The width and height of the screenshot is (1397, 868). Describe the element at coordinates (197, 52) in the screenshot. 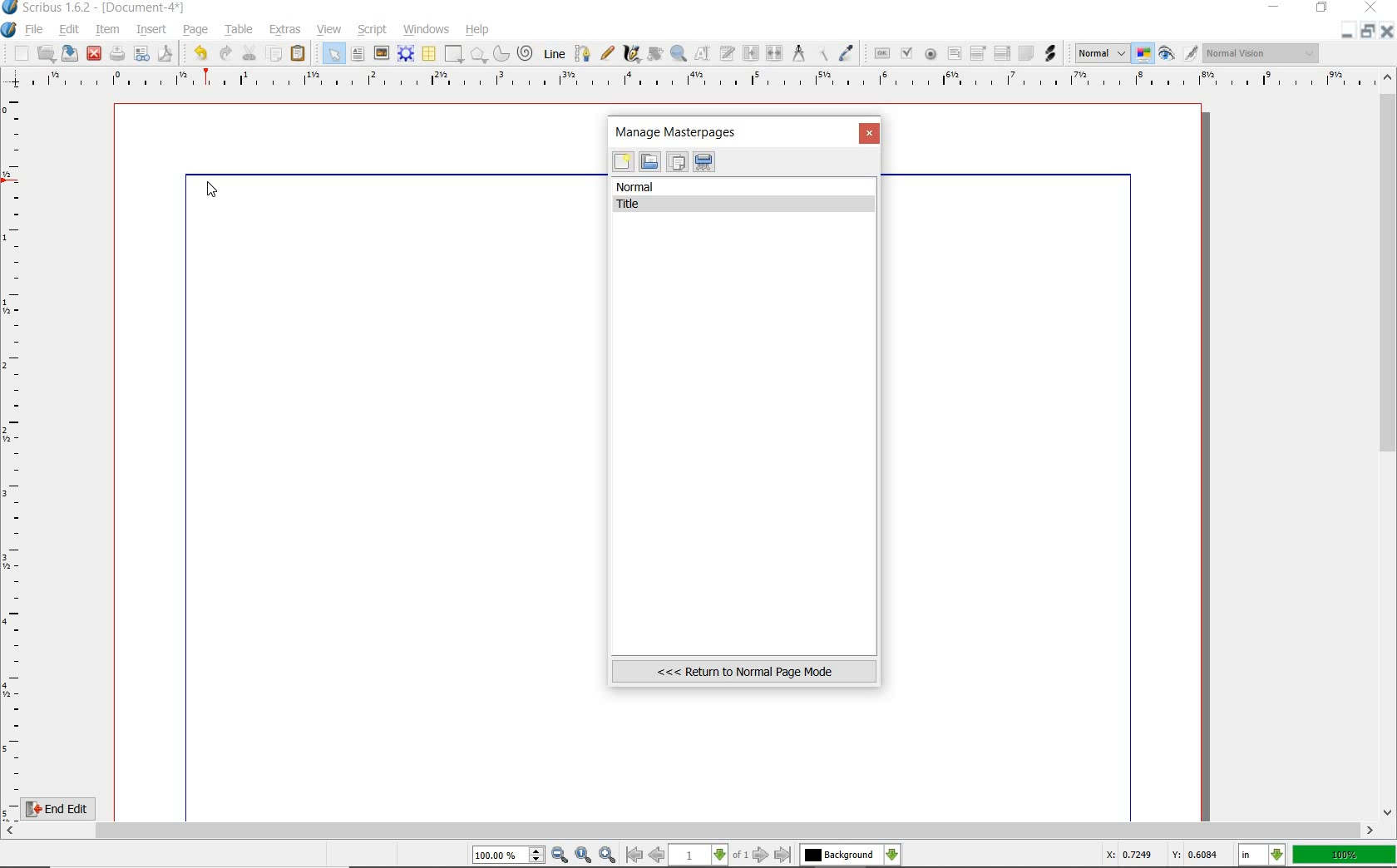

I see `undo` at that location.